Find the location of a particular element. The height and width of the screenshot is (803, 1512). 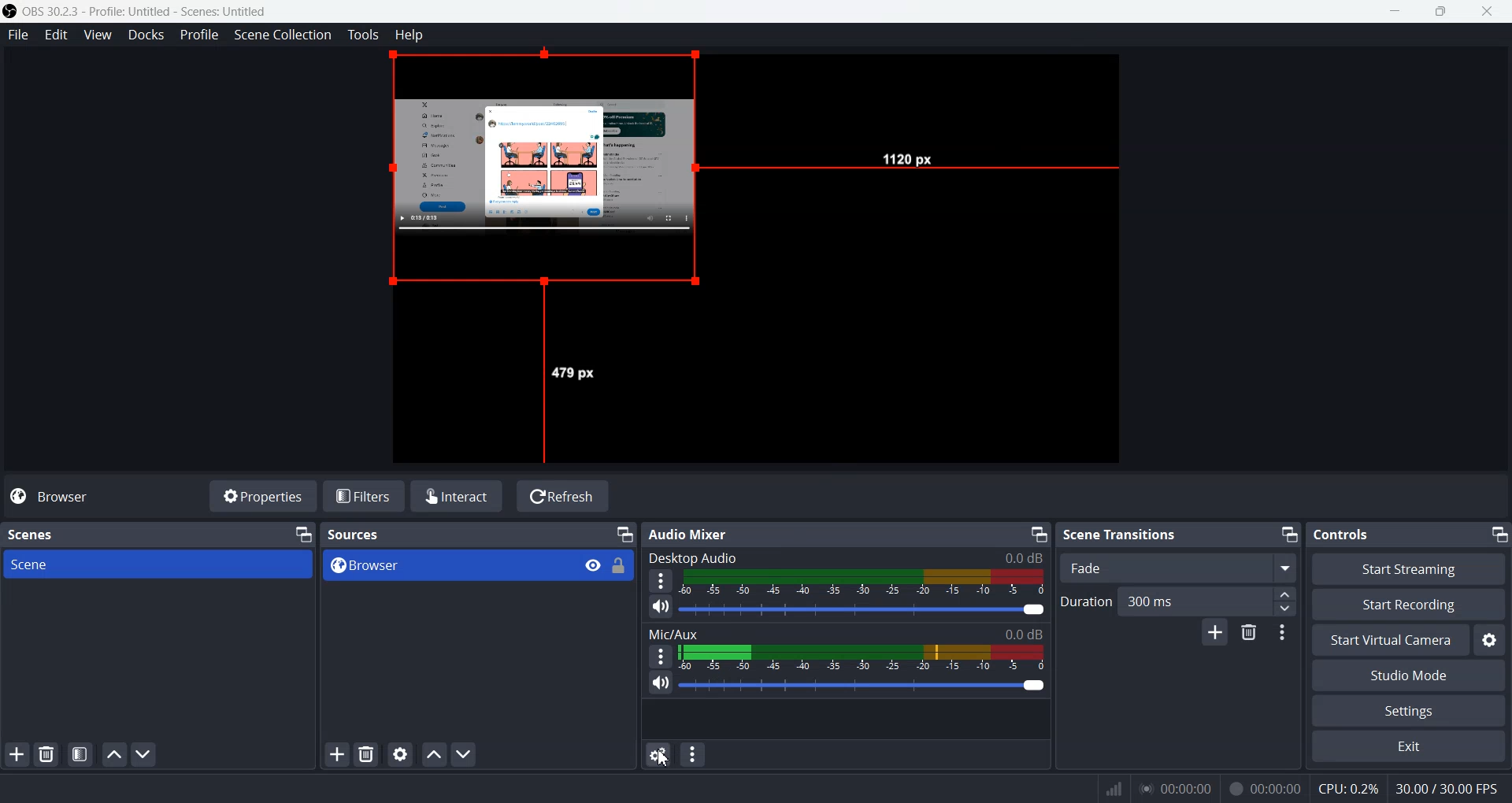

Move sources down is located at coordinates (465, 755).